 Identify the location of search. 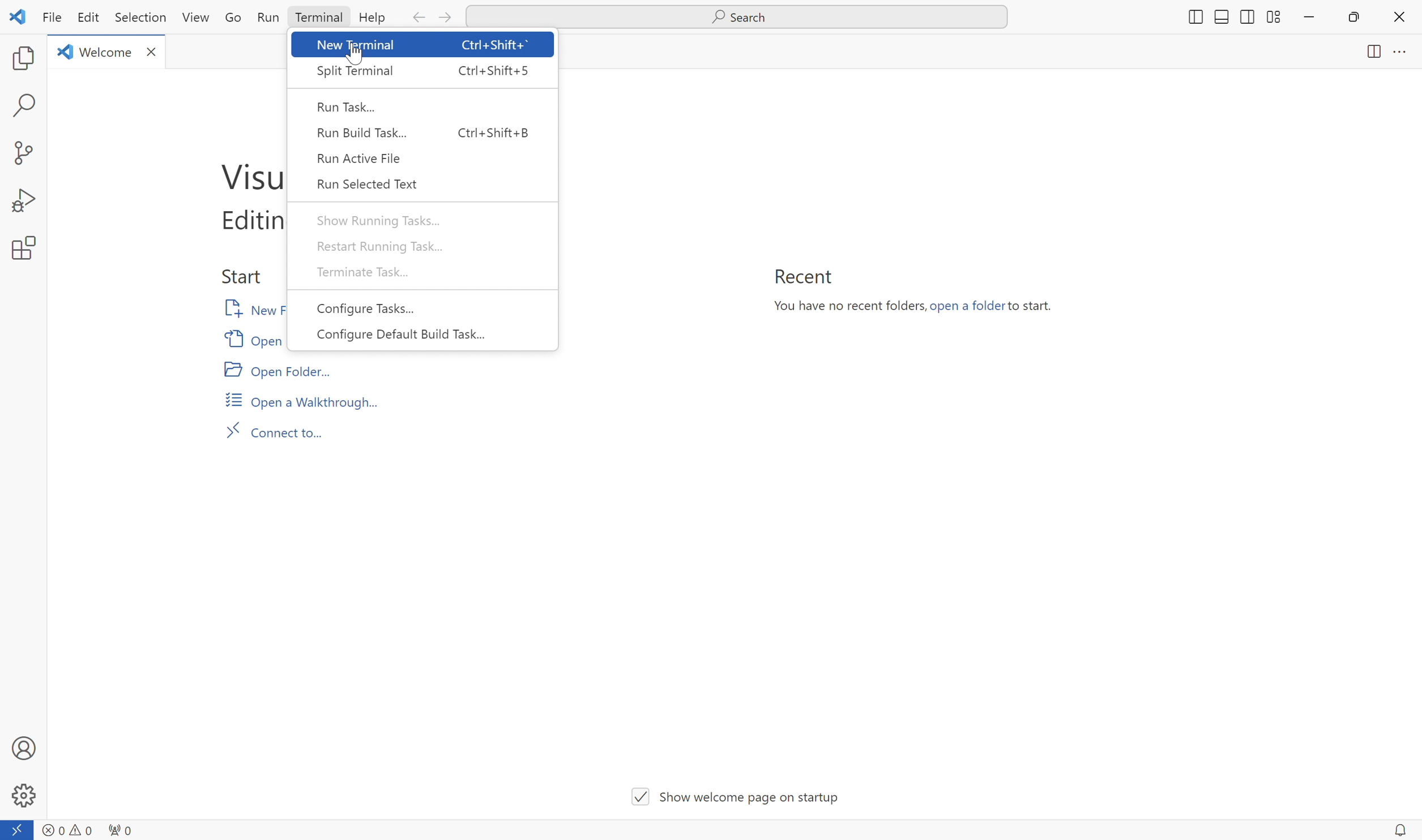
(26, 106).